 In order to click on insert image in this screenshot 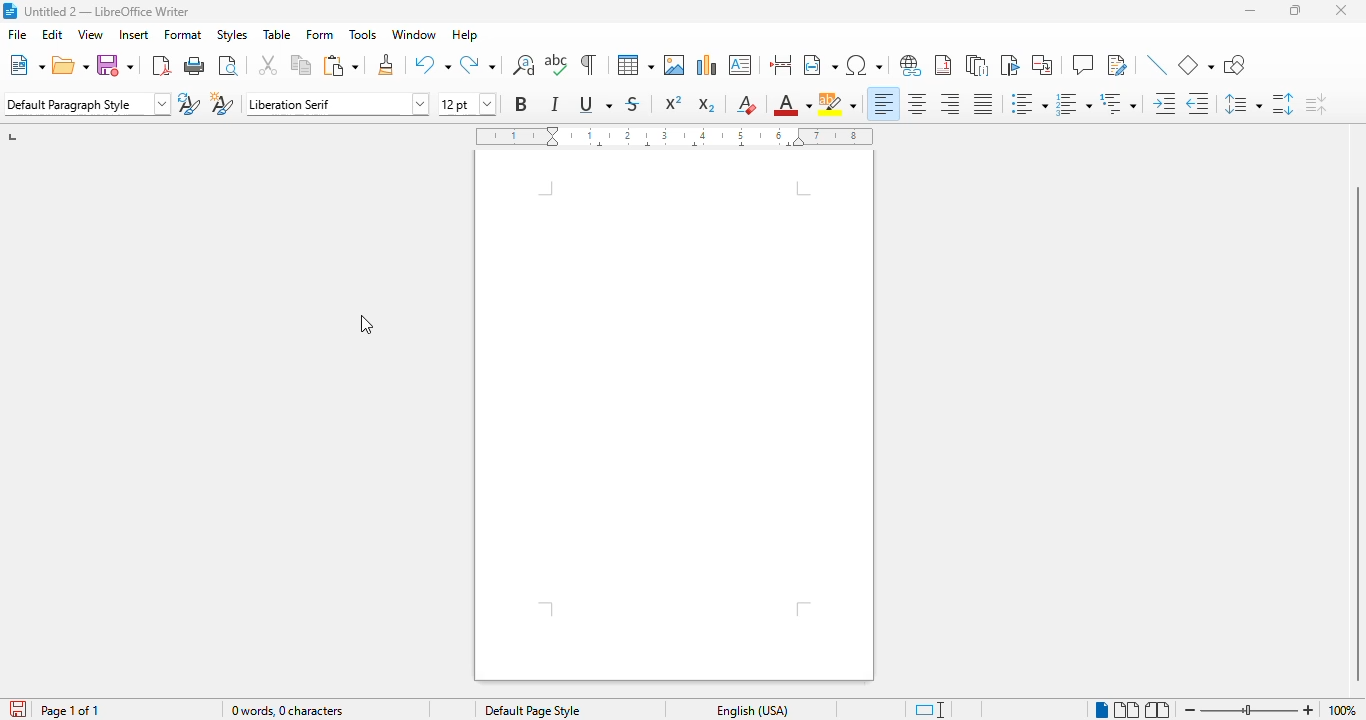, I will do `click(674, 65)`.